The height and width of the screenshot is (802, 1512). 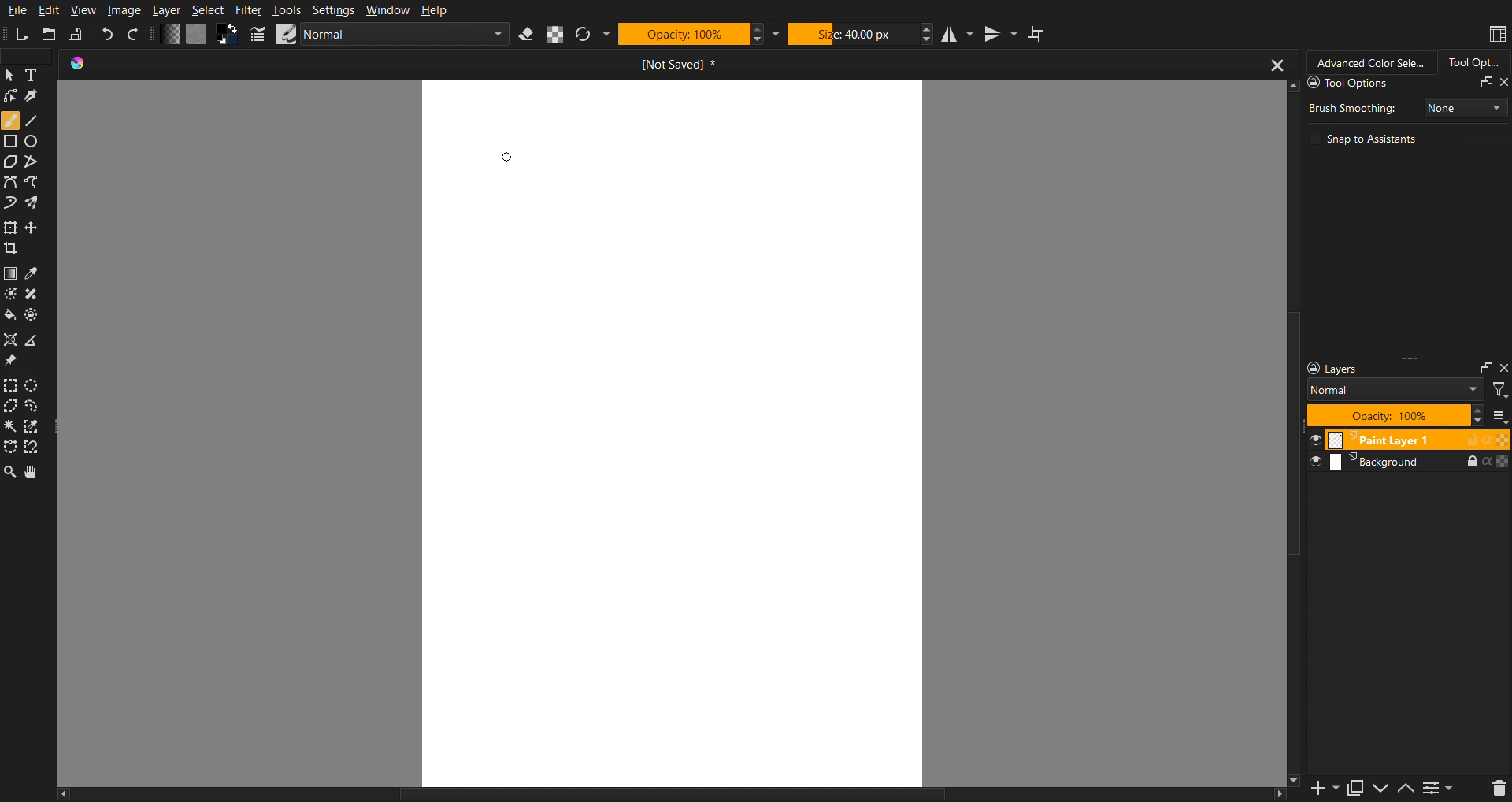 What do you see at coordinates (682, 35) in the screenshot?
I see `Opacity` at bounding box center [682, 35].